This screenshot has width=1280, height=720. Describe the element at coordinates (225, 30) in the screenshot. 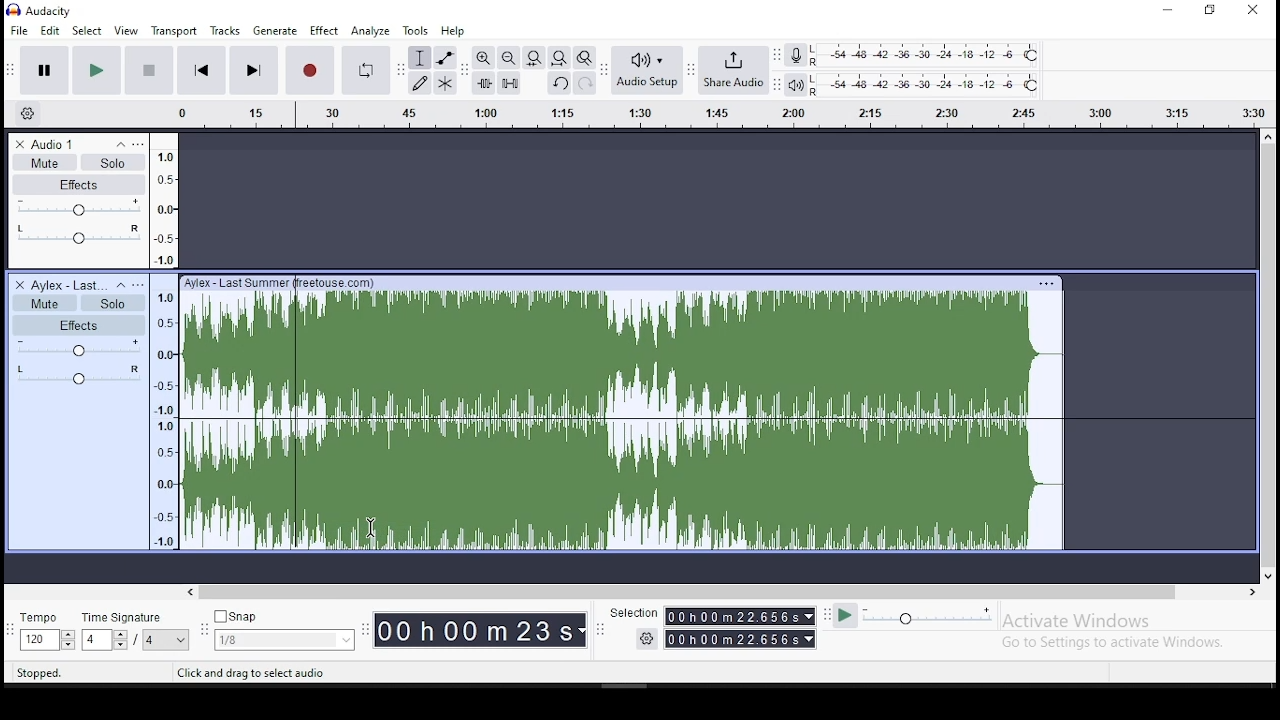

I see `tracks` at that location.